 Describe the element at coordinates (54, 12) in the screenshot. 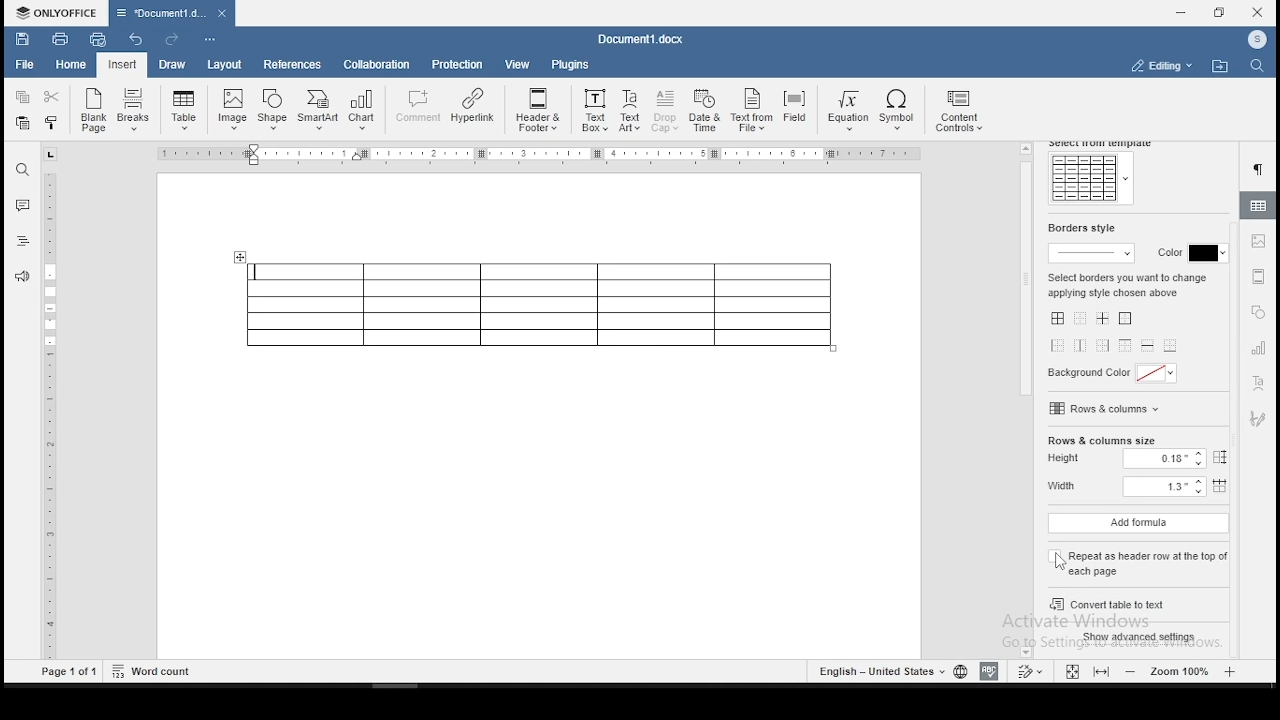

I see `ONLYOFFICE` at that location.